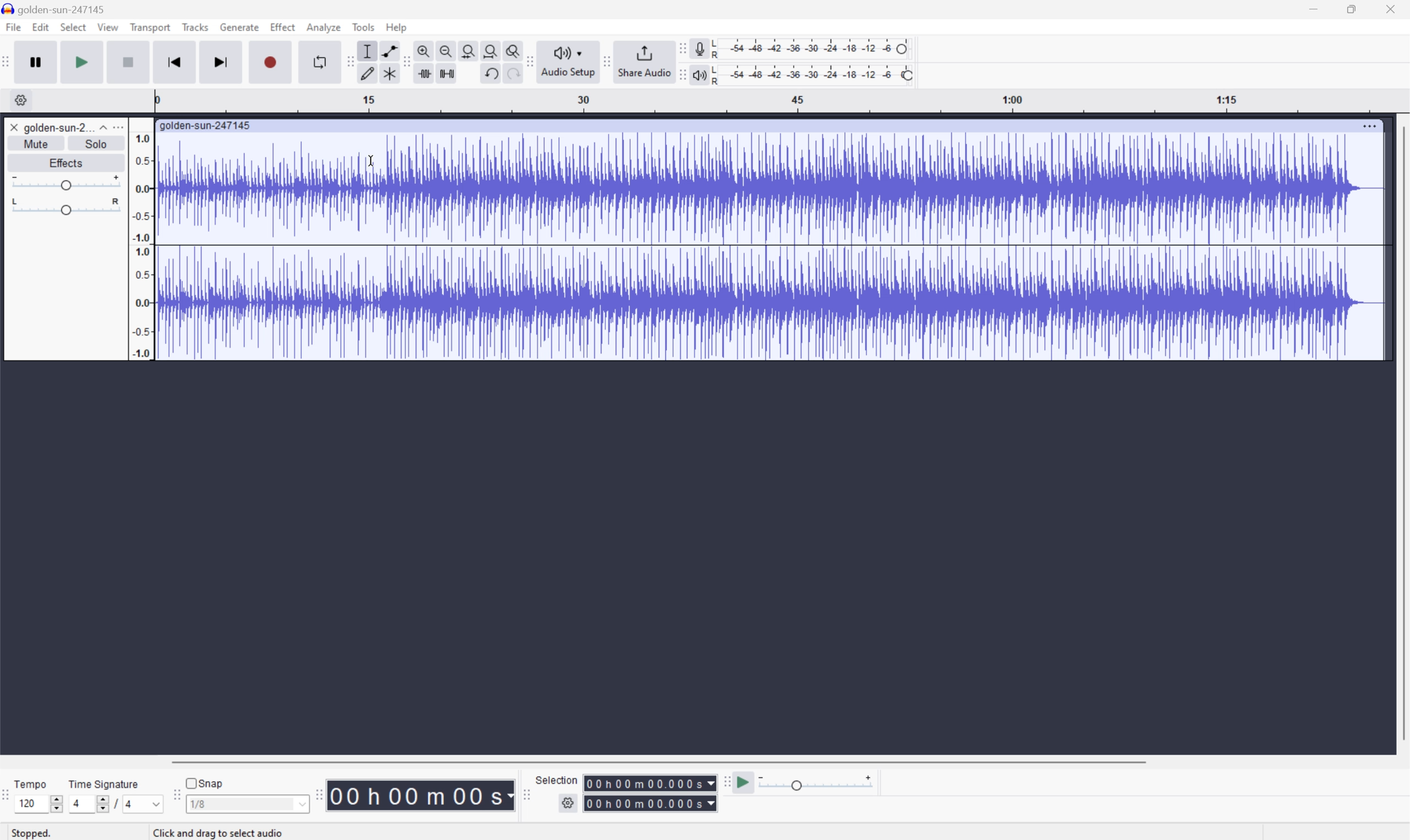 Image resolution: width=1410 pixels, height=840 pixels. What do you see at coordinates (421, 794) in the screenshot?
I see `Time` at bounding box center [421, 794].